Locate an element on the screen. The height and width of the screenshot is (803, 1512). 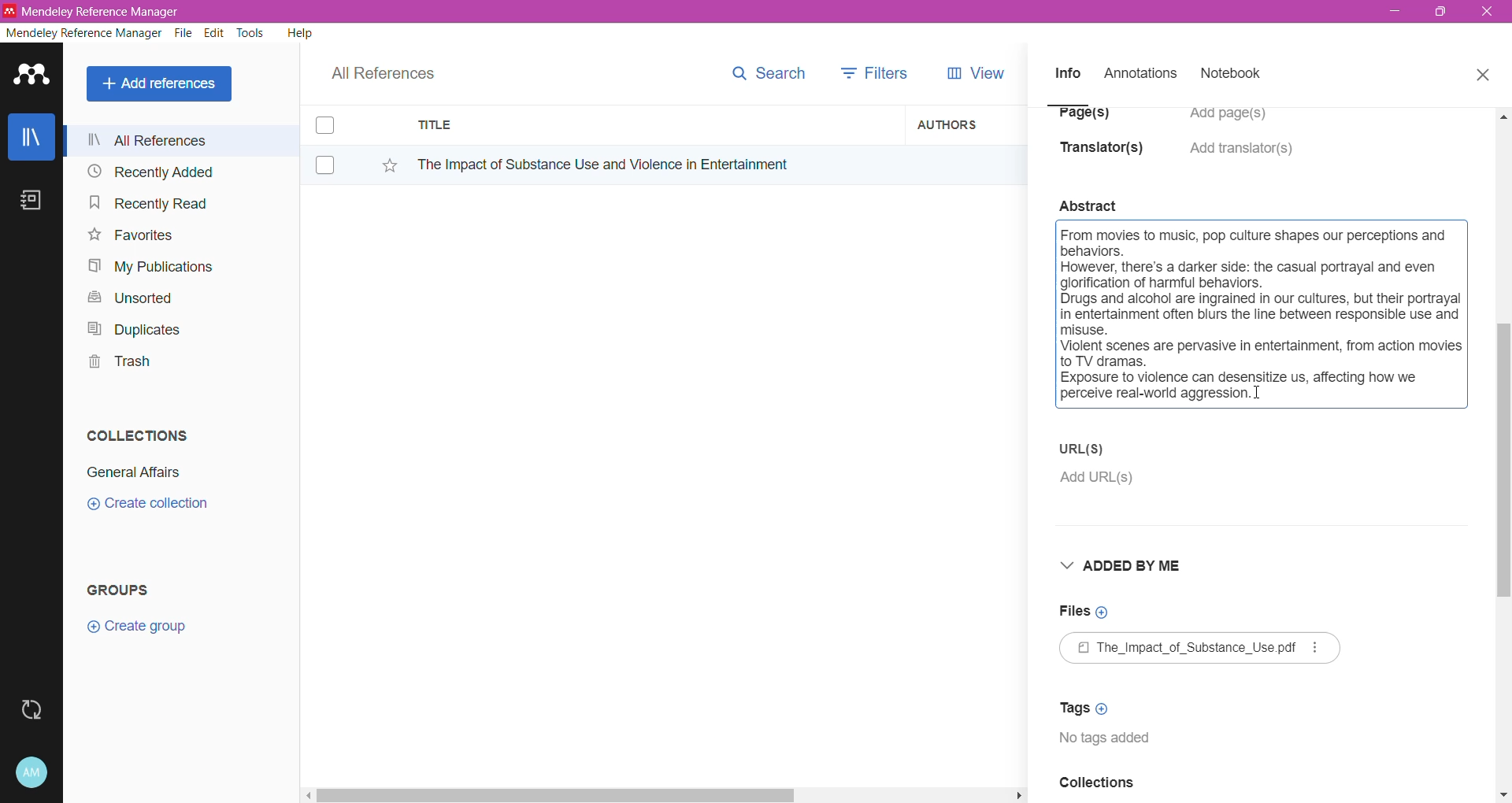
File is located at coordinates (183, 34).